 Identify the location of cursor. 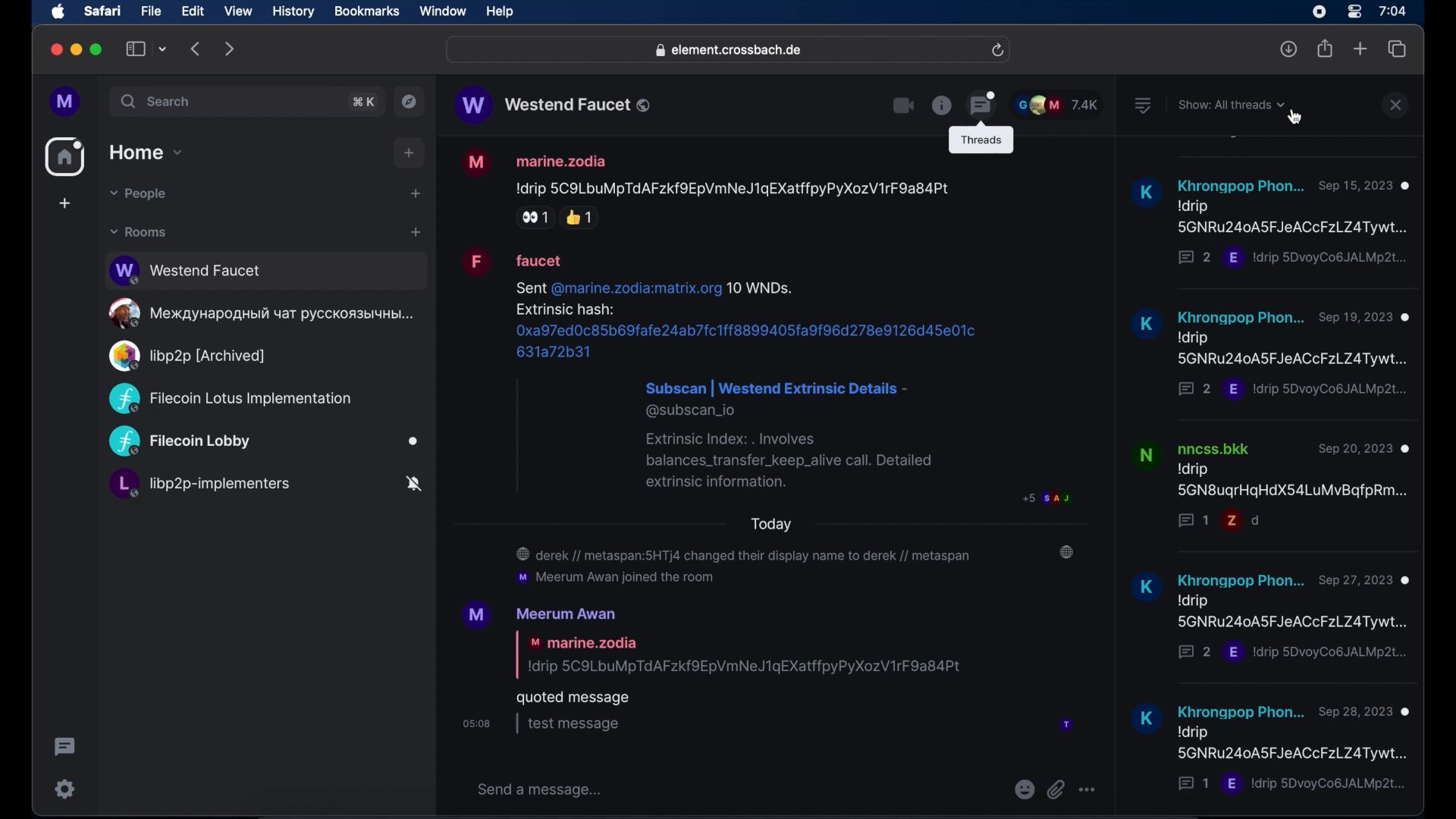
(1297, 118).